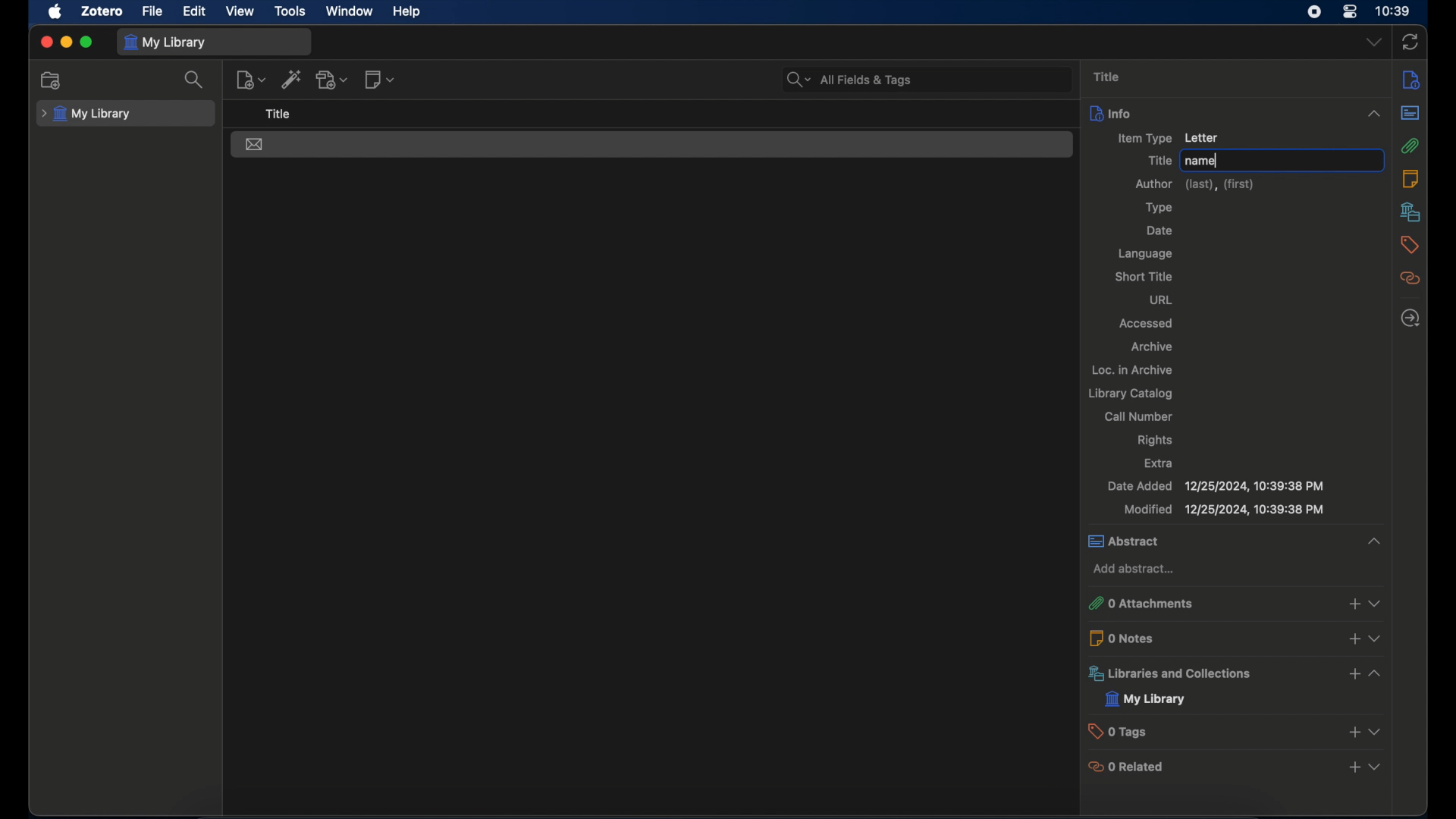 The height and width of the screenshot is (819, 1456). I want to click on title, so click(1109, 77).